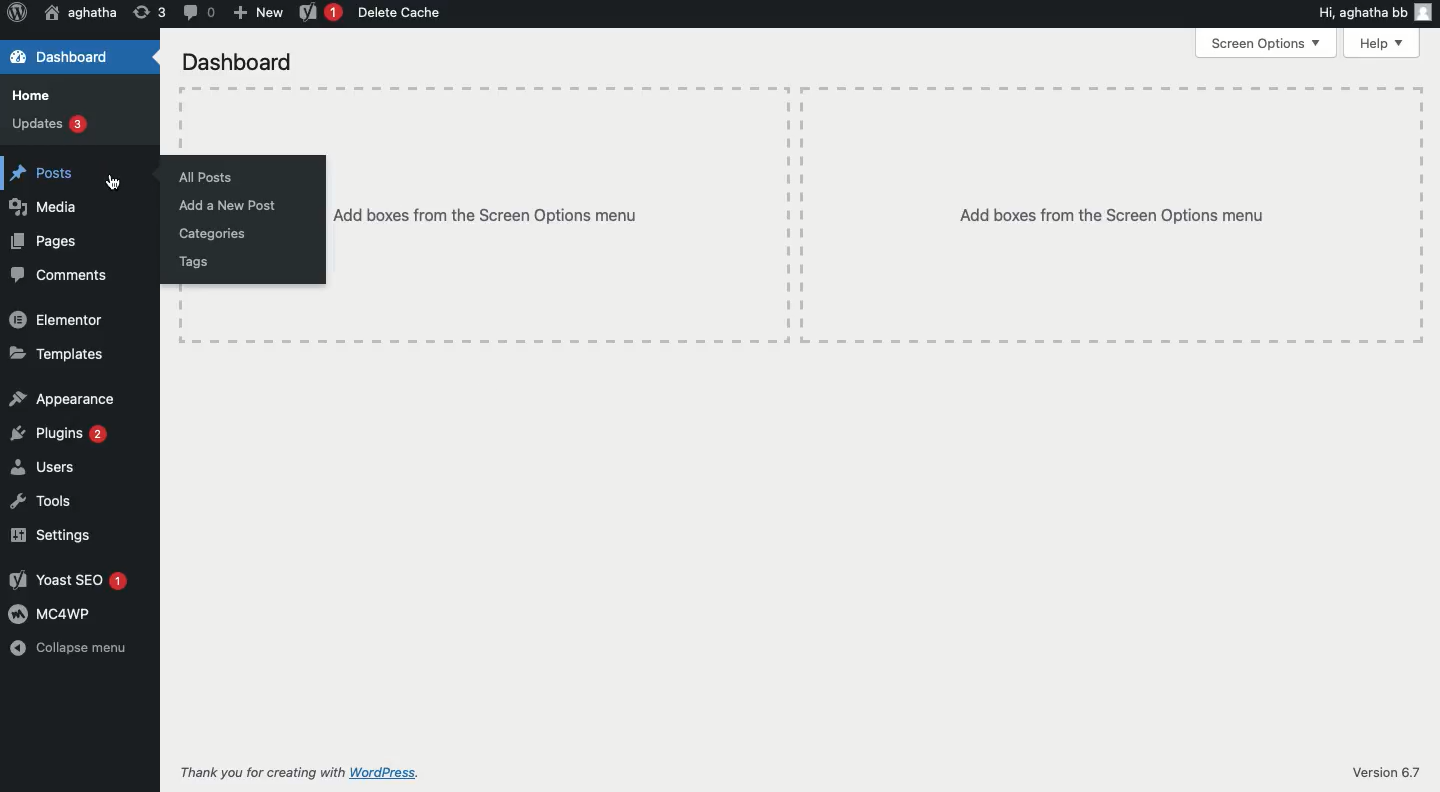 The image size is (1440, 792). What do you see at coordinates (39, 173) in the screenshot?
I see `Posts` at bounding box center [39, 173].